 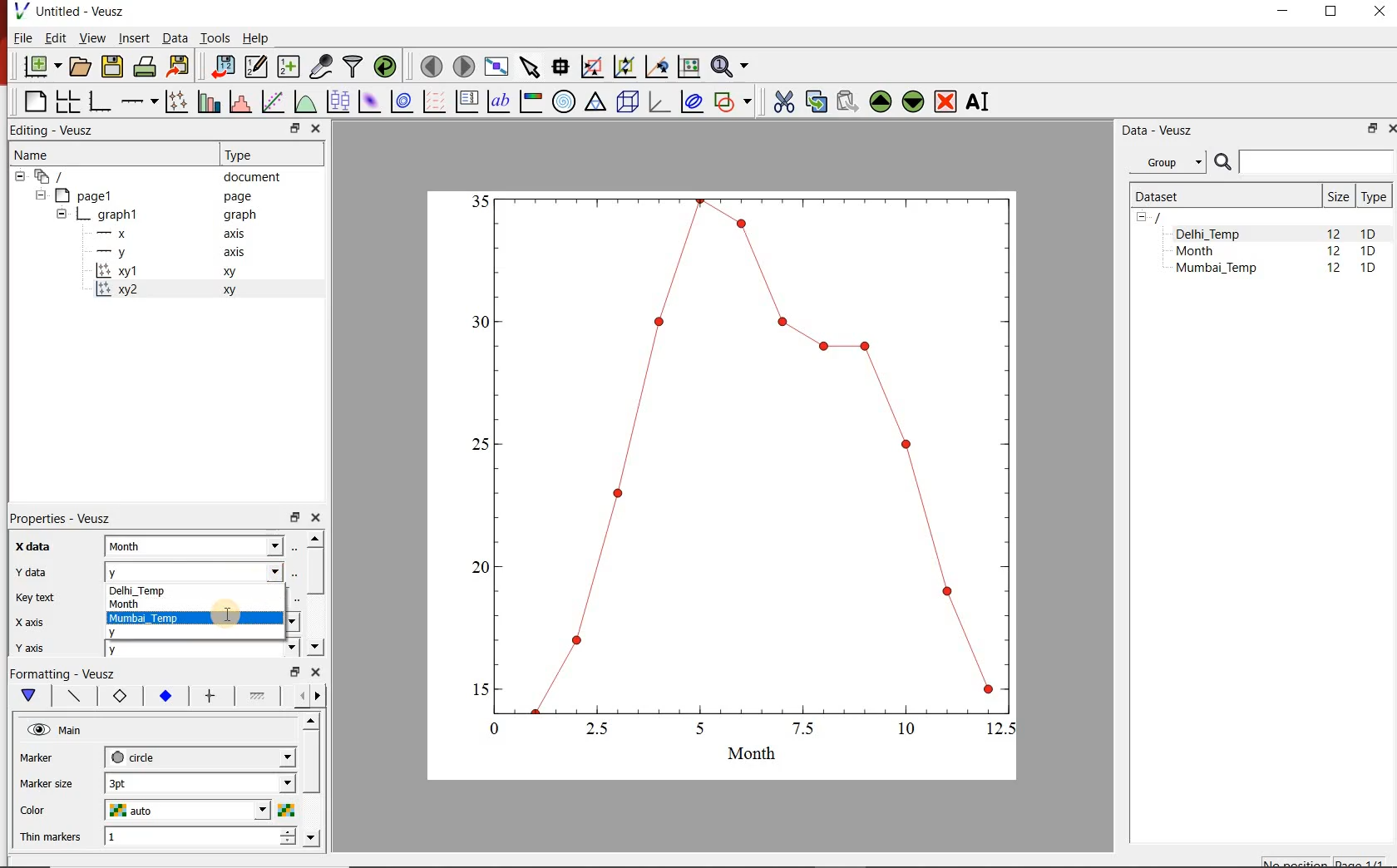 I want to click on Tools, so click(x=216, y=38).